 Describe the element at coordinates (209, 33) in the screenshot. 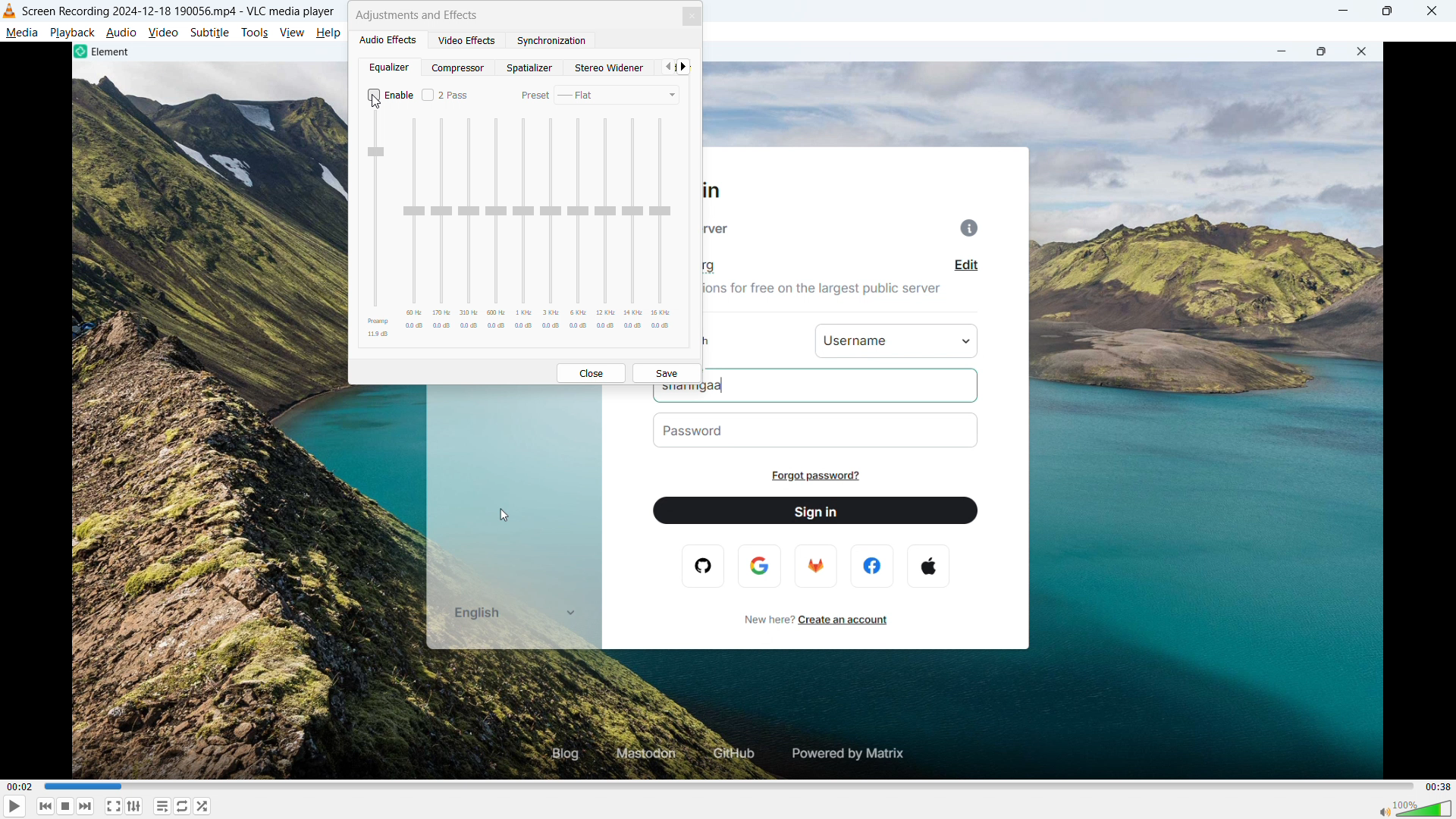

I see `Subtitle ` at that location.